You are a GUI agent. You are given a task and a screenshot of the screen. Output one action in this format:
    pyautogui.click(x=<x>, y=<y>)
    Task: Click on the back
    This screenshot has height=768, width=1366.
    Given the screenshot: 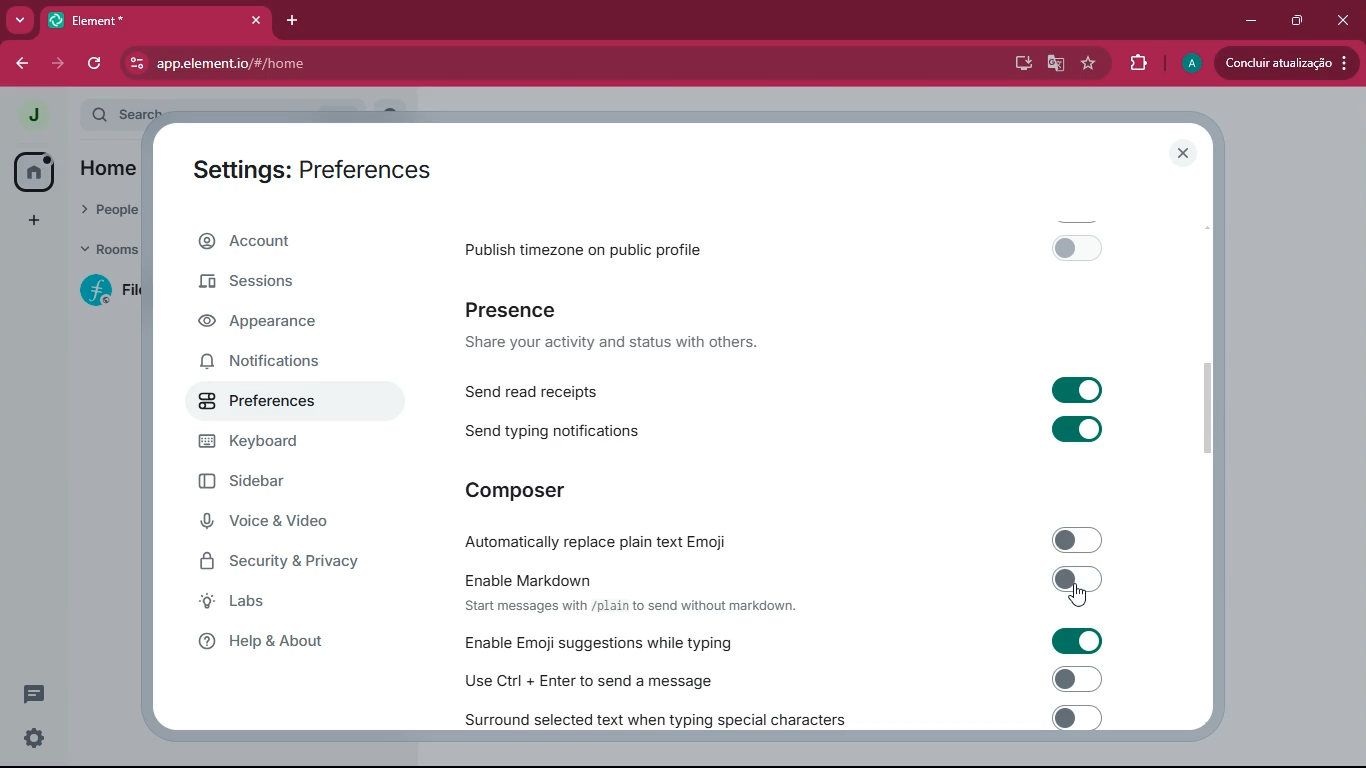 What is the action you would take?
    pyautogui.click(x=18, y=64)
    